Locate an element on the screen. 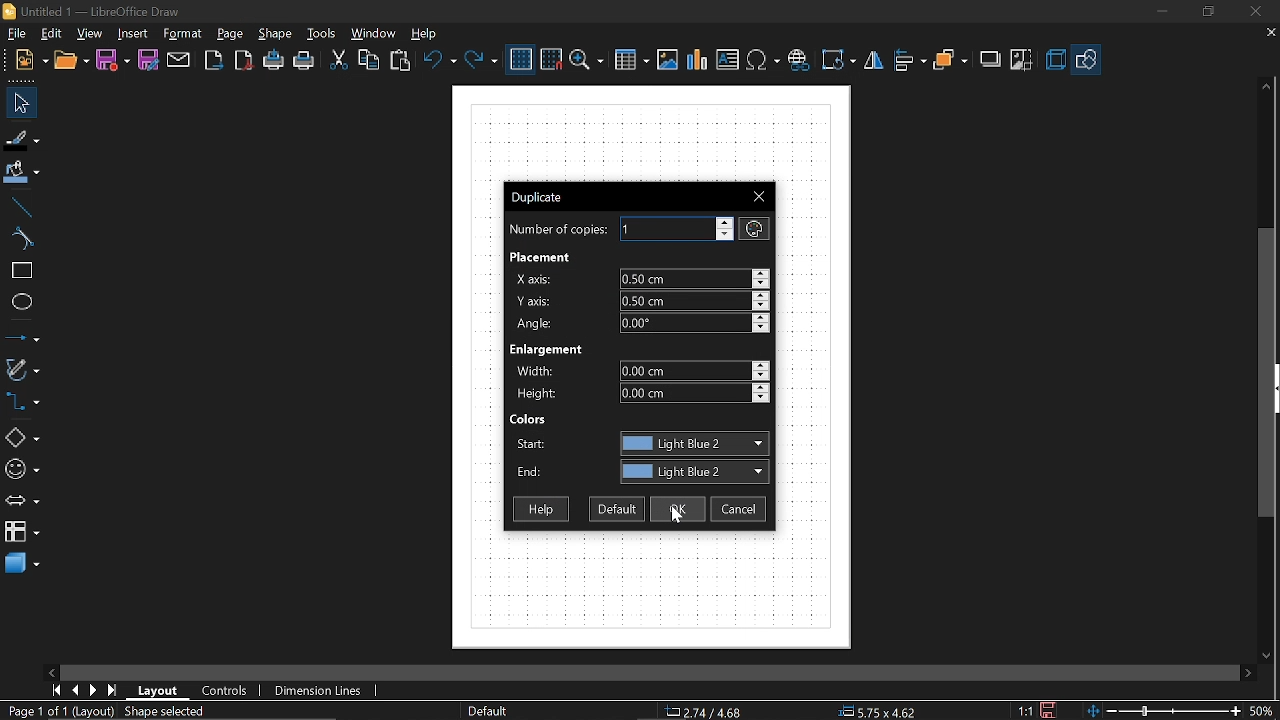 Image resolution: width=1280 pixels, height=720 pixels. End is located at coordinates (529, 475).